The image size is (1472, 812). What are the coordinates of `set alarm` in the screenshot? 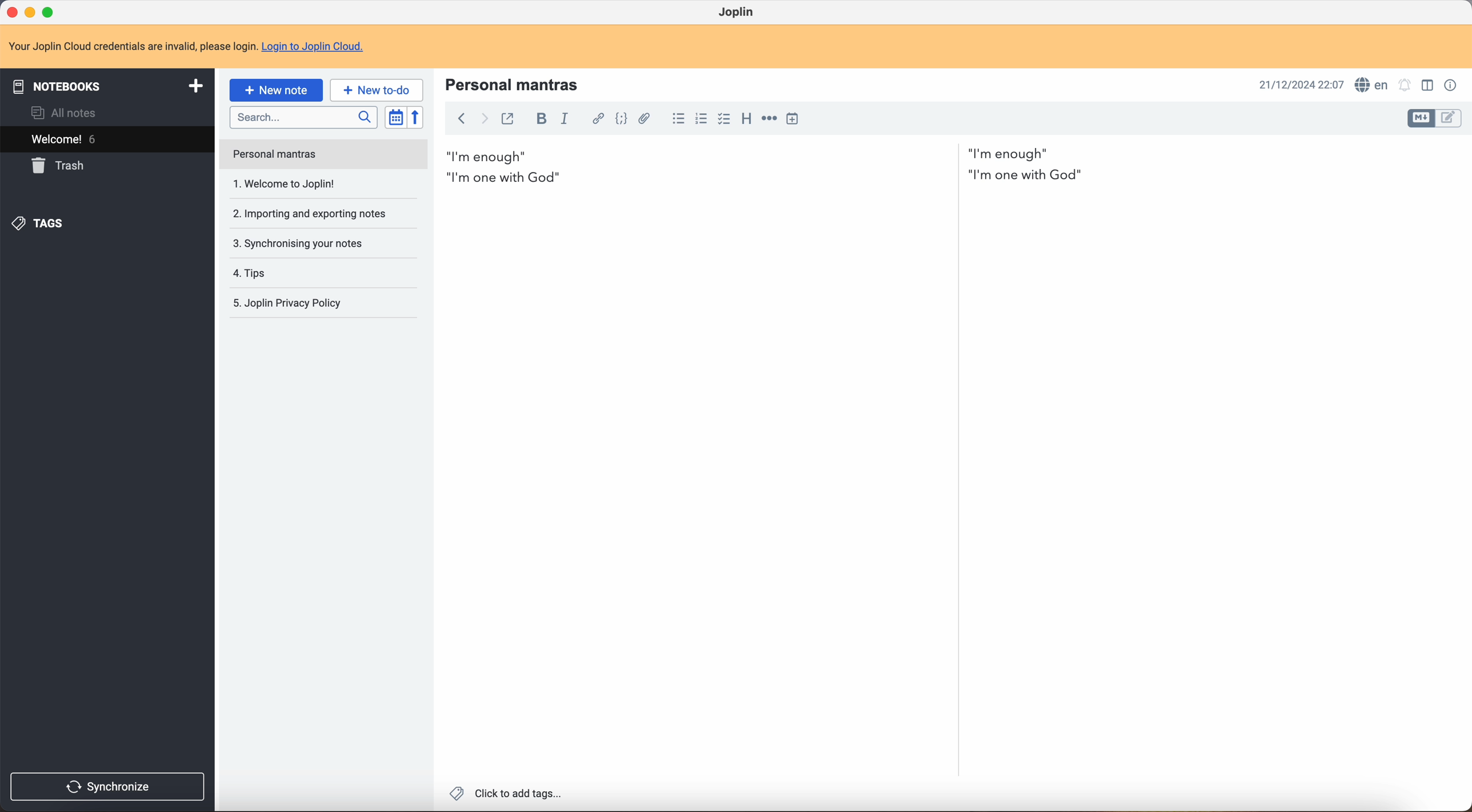 It's located at (1406, 85).